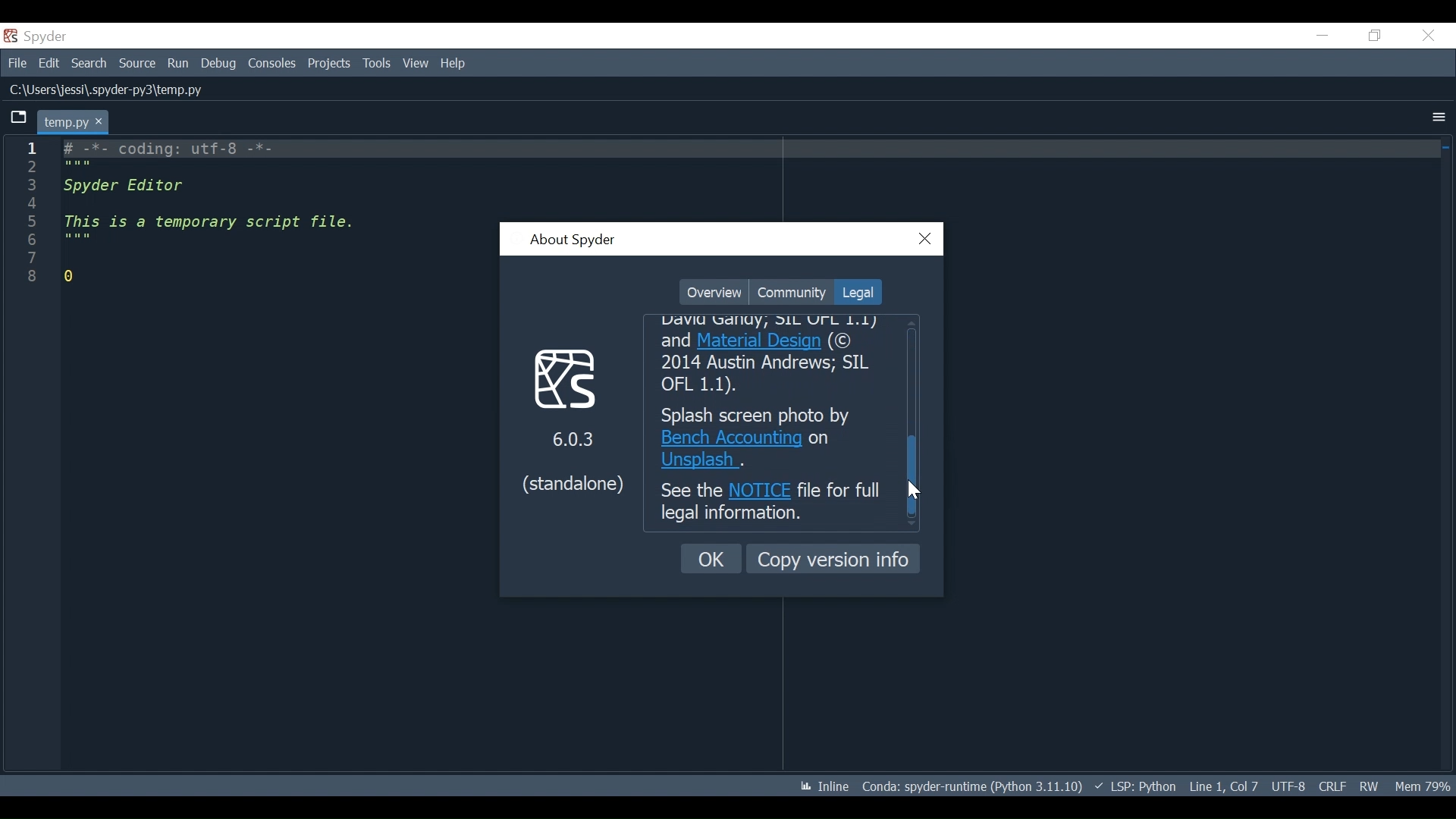  Describe the element at coordinates (130, 90) in the screenshot. I see `C:\Users\jessi\.spyder-py3\temp.py` at that location.